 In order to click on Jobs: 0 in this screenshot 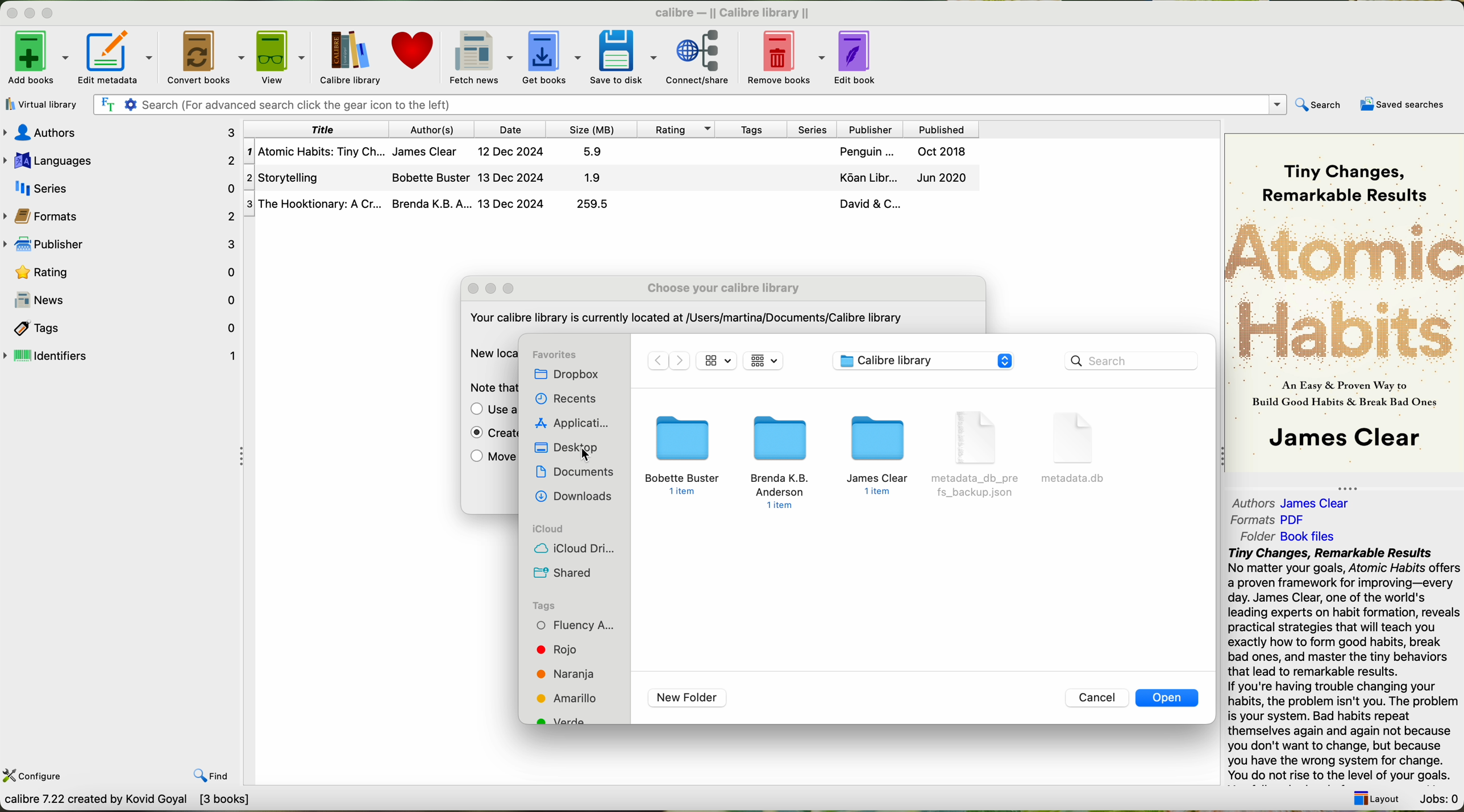, I will do `click(1437, 796)`.